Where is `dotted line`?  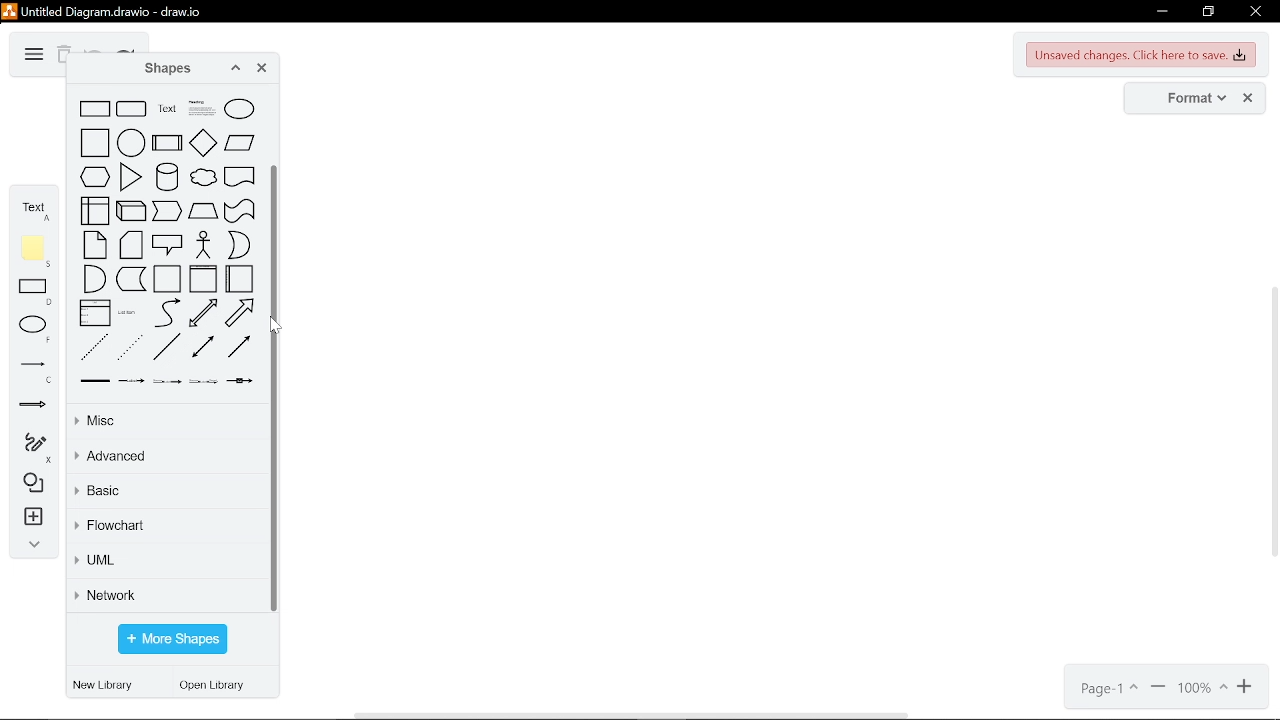
dotted line is located at coordinates (131, 347).